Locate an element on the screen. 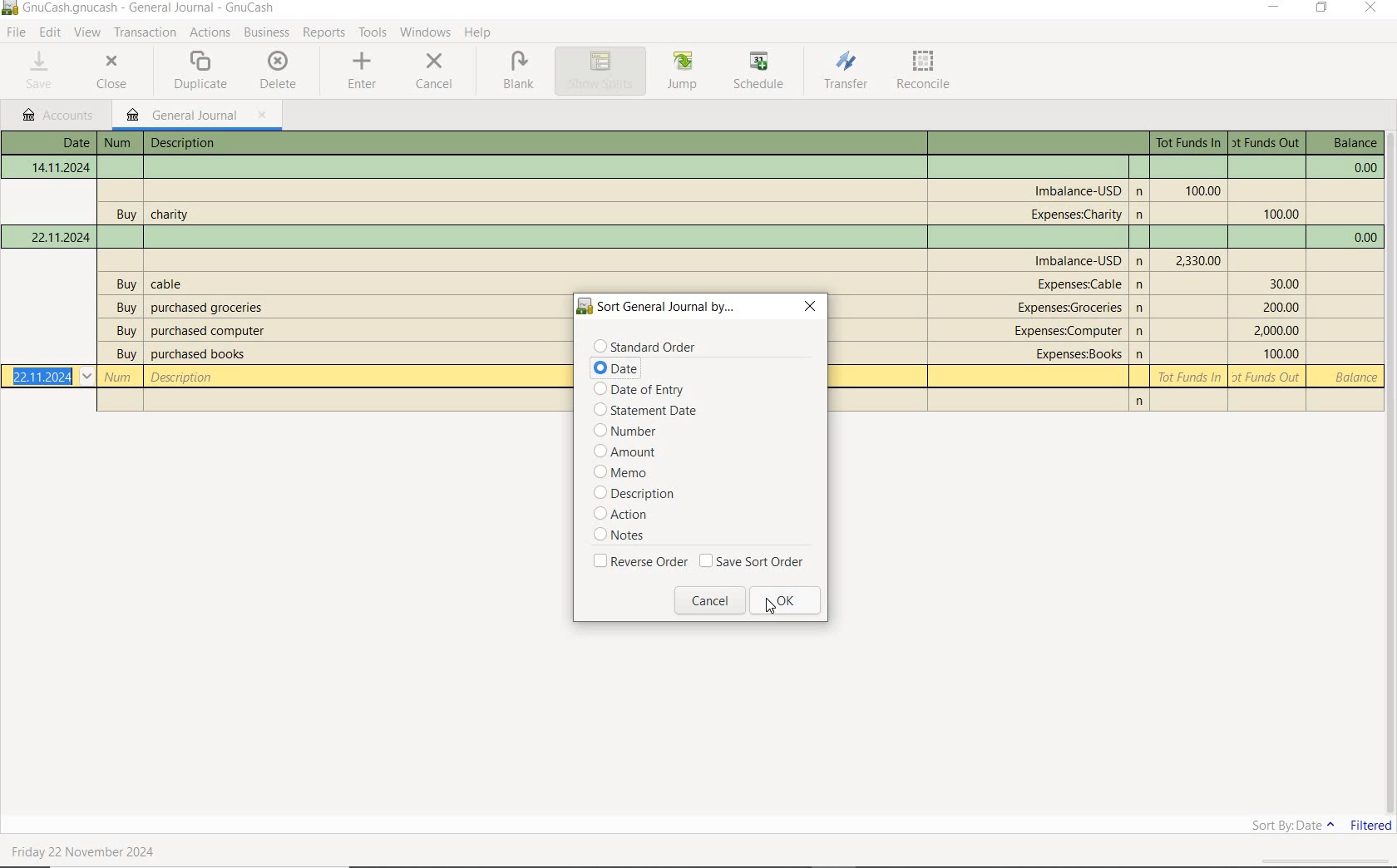 The height and width of the screenshot is (868, 1397). n is located at coordinates (1142, 353).